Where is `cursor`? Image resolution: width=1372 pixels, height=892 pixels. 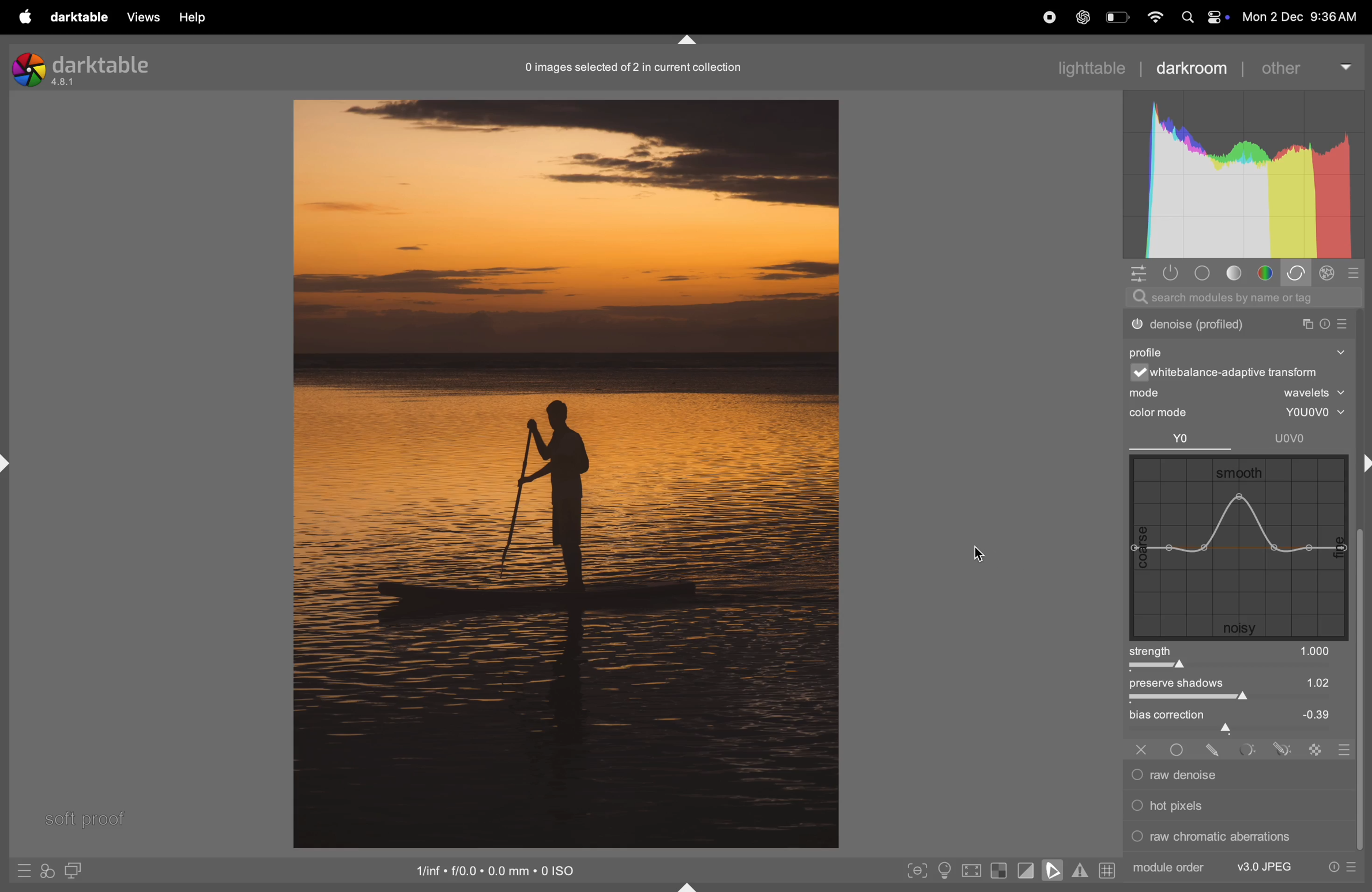
cursor is located at coordinates (979, 552).